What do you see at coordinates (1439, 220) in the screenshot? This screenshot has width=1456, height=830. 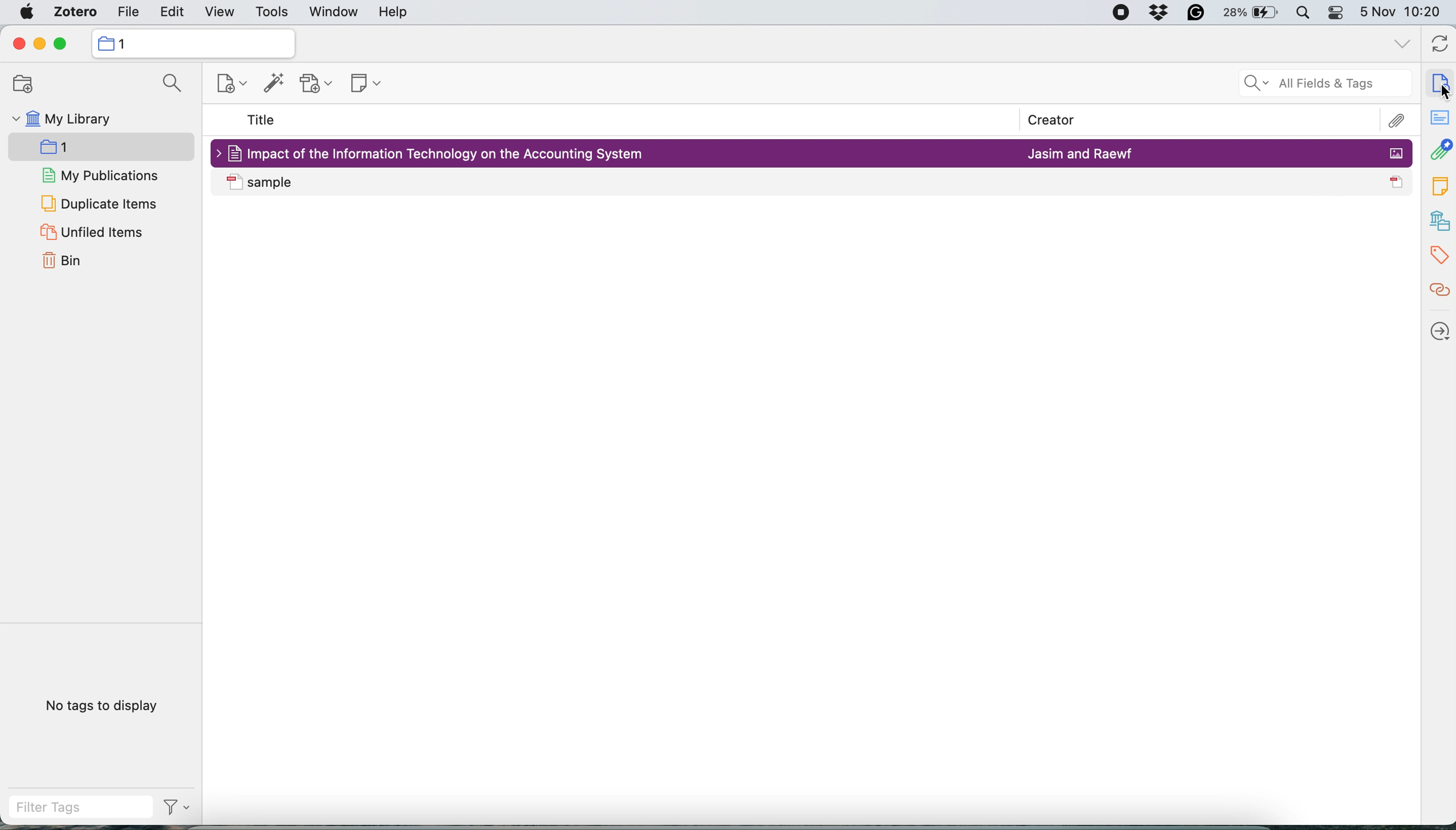 I see `libraries and collection` at bounding box center [1439, 220].